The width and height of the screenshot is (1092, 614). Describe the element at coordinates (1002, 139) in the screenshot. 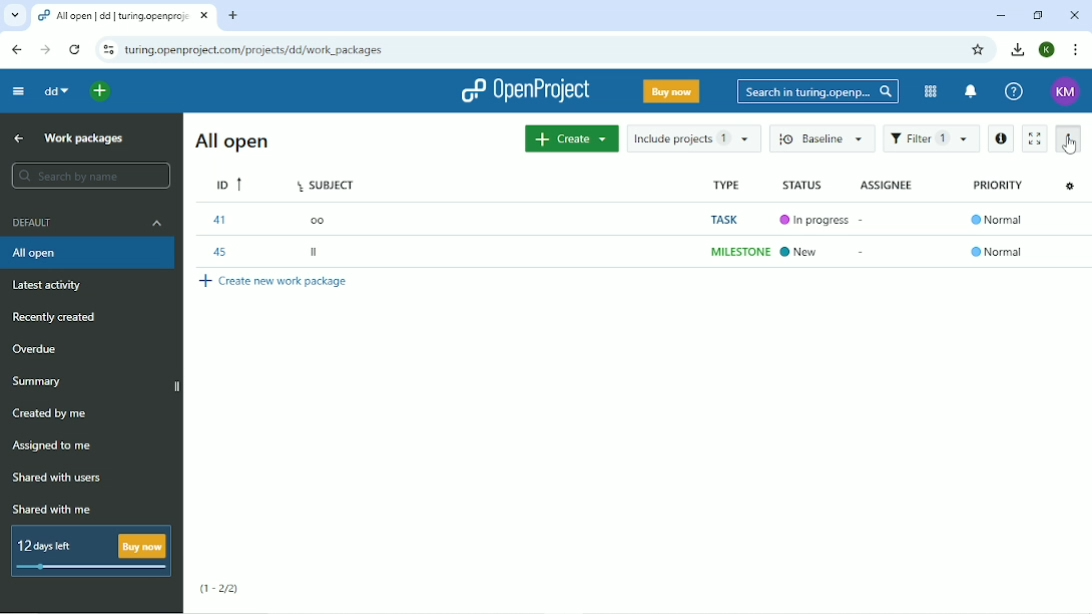

I see `Open details view` at that location.